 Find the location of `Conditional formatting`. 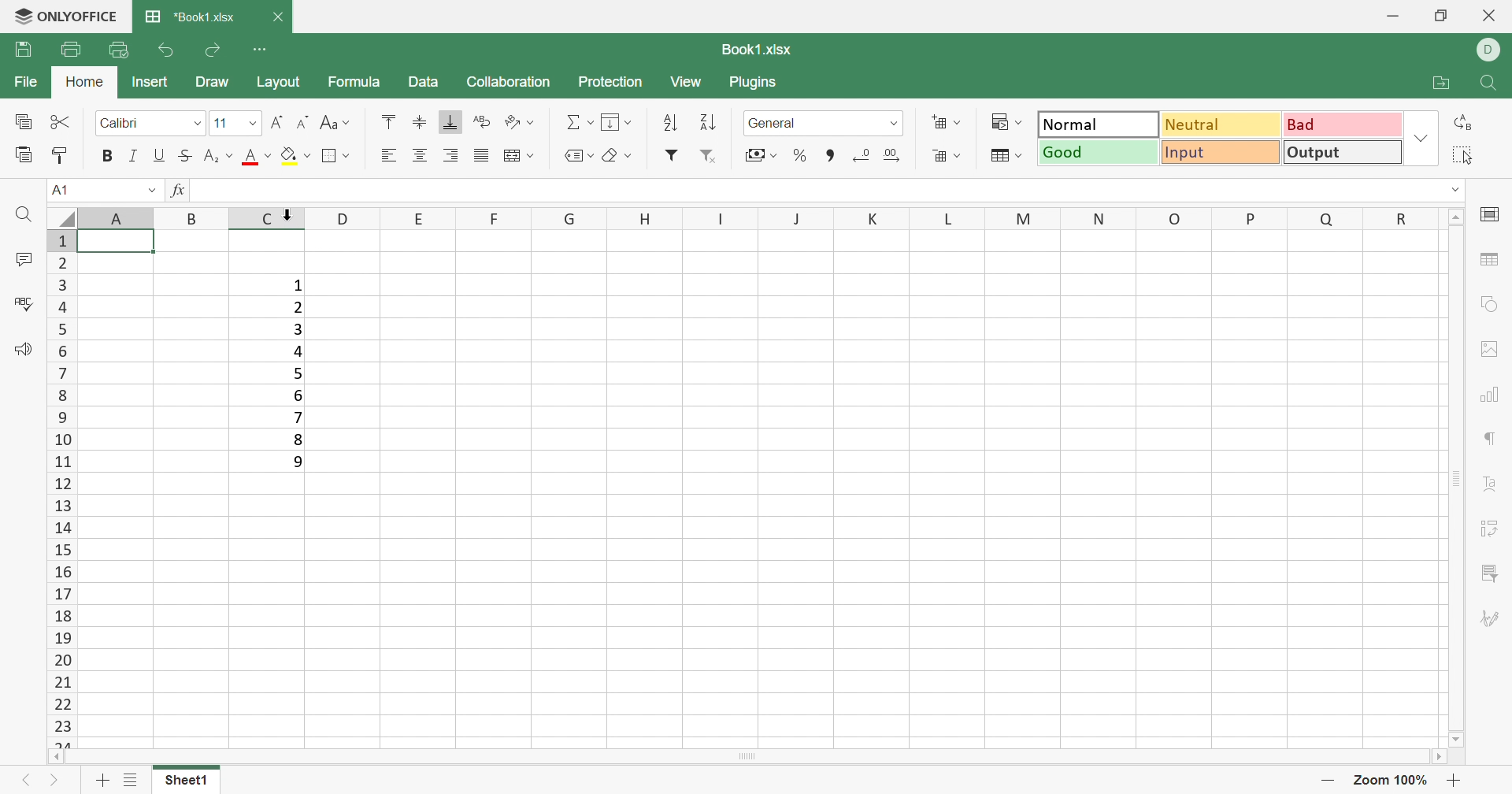

Conditional formatting is located at coordinates (1005, 123).